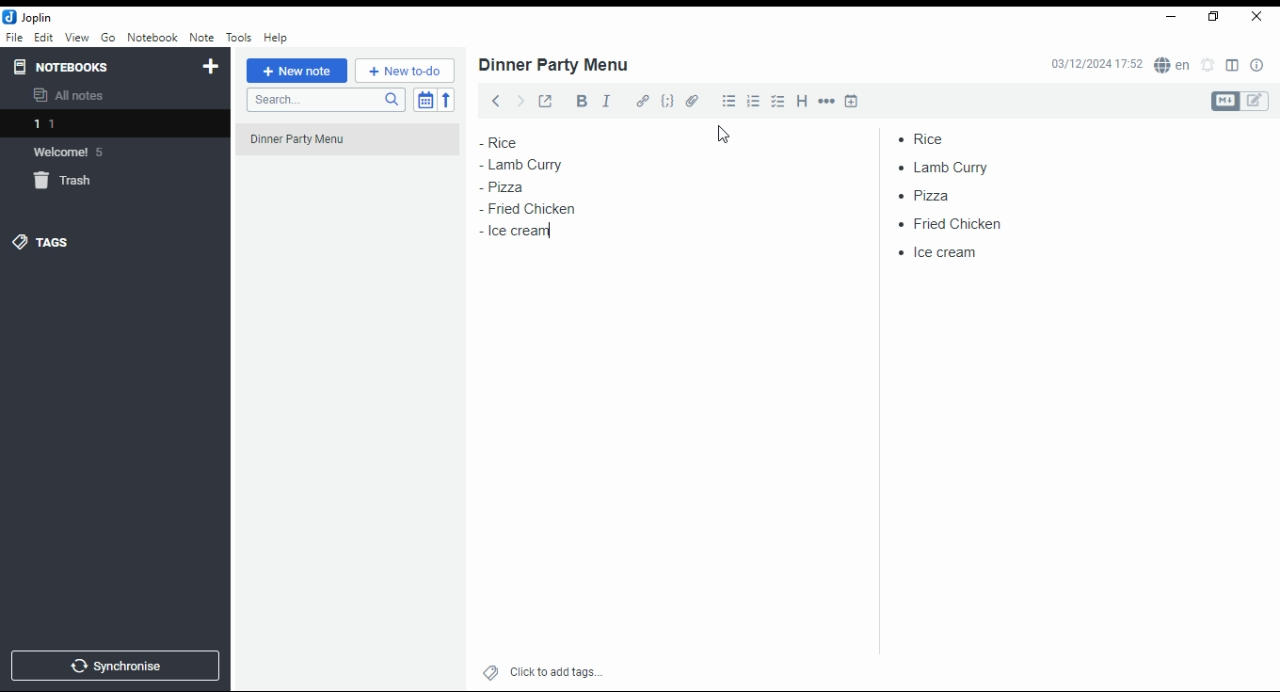 This screenshot has height=692, width=1280. Describe the element at coordinates (152, 37) in the screenshot. I see `notebook` at that location.